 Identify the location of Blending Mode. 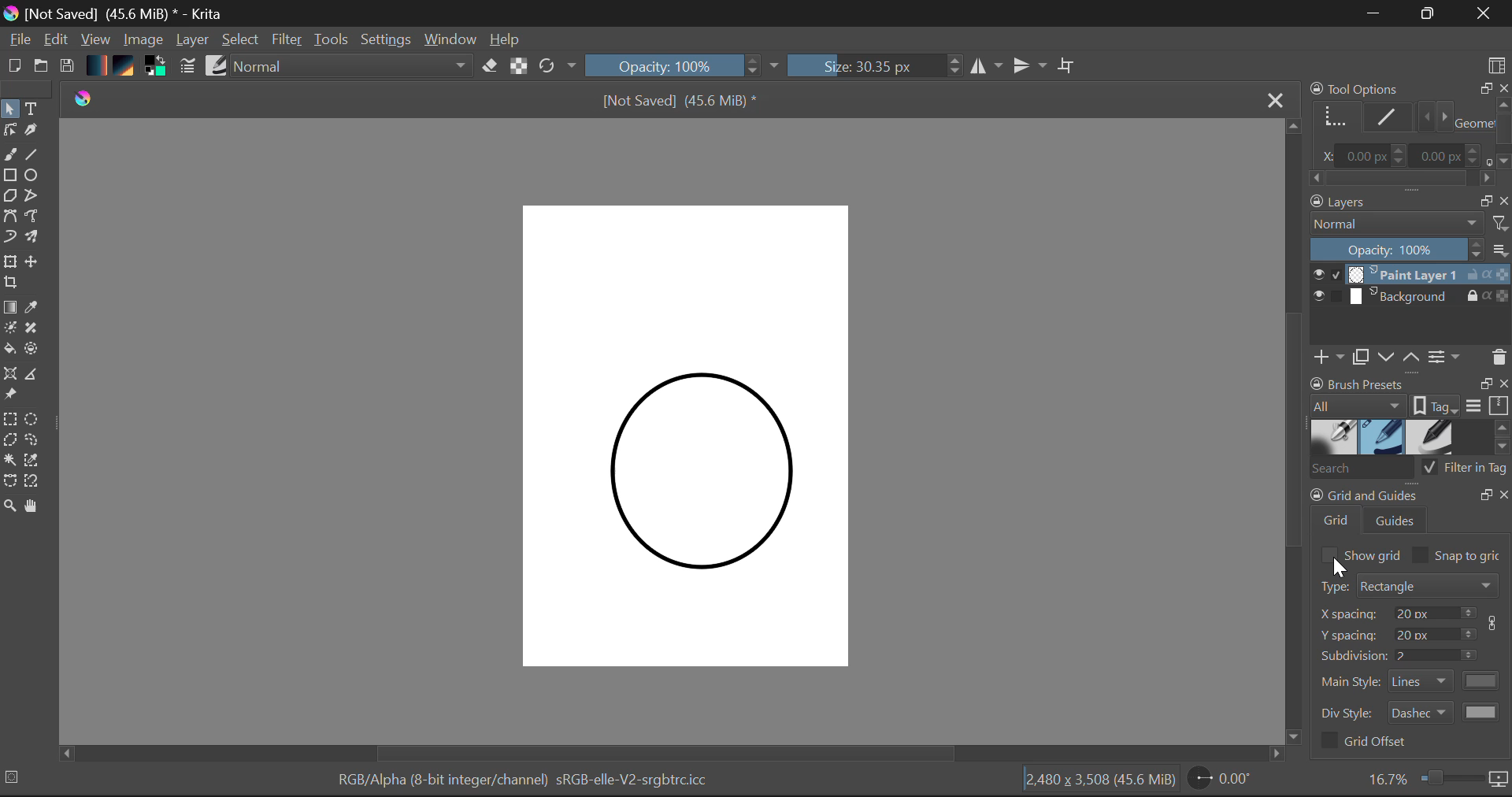
(1409, 224).